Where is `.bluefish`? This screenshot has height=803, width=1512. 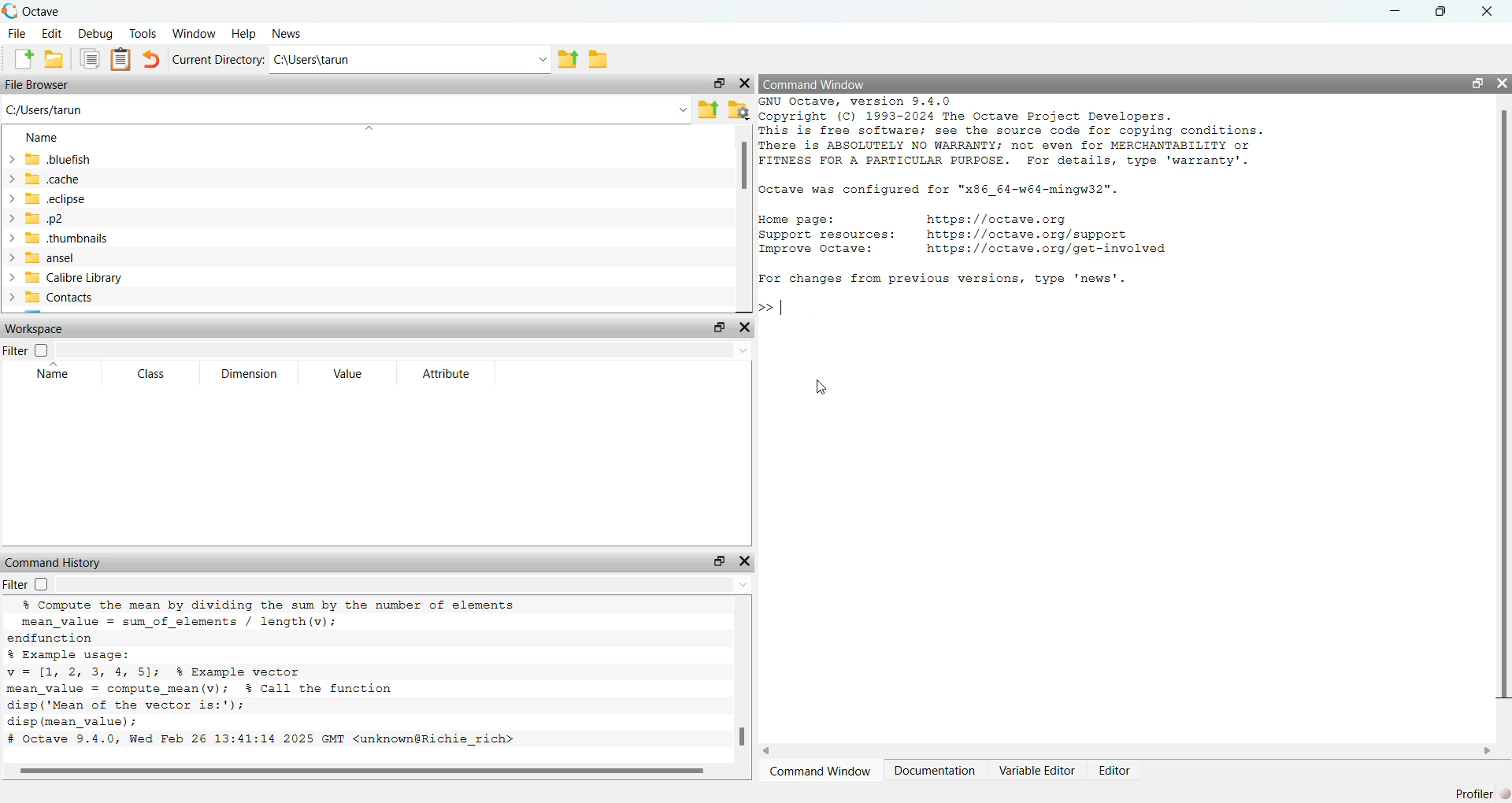 .bluefish is located at coordinates (59, 160).